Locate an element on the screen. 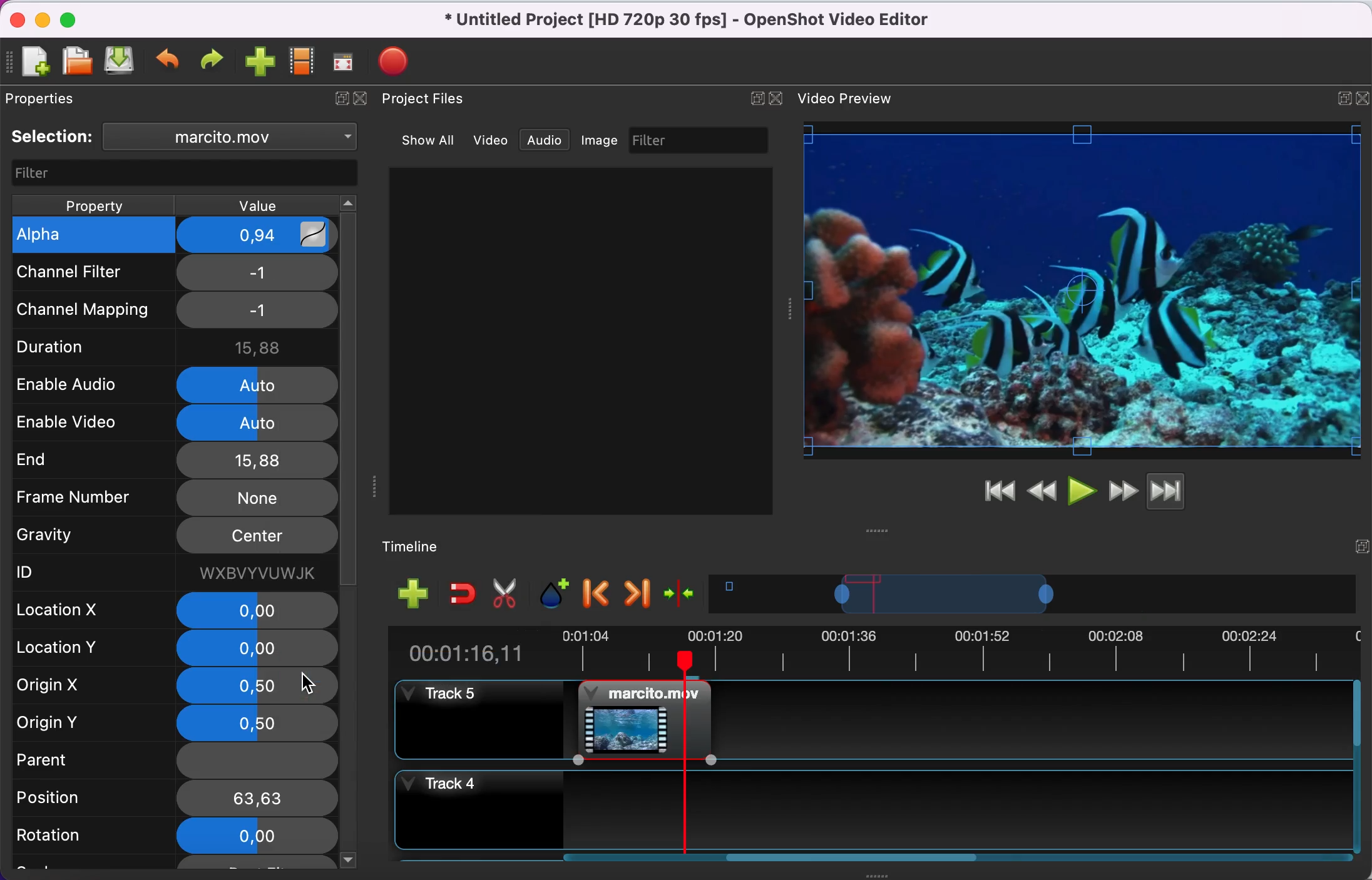 The width and height of the screenshot is (1372, 880). il is located at coordinates (267, 271).